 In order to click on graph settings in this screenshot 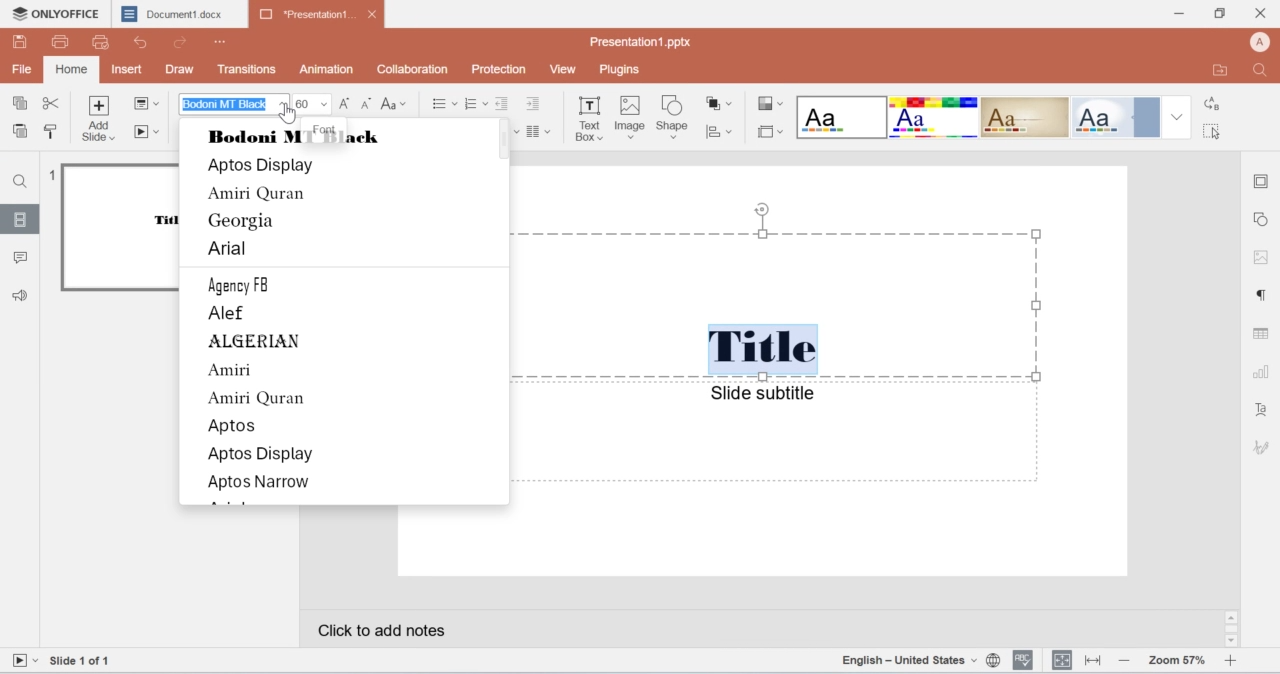, I will do `click(1259, 375)`.